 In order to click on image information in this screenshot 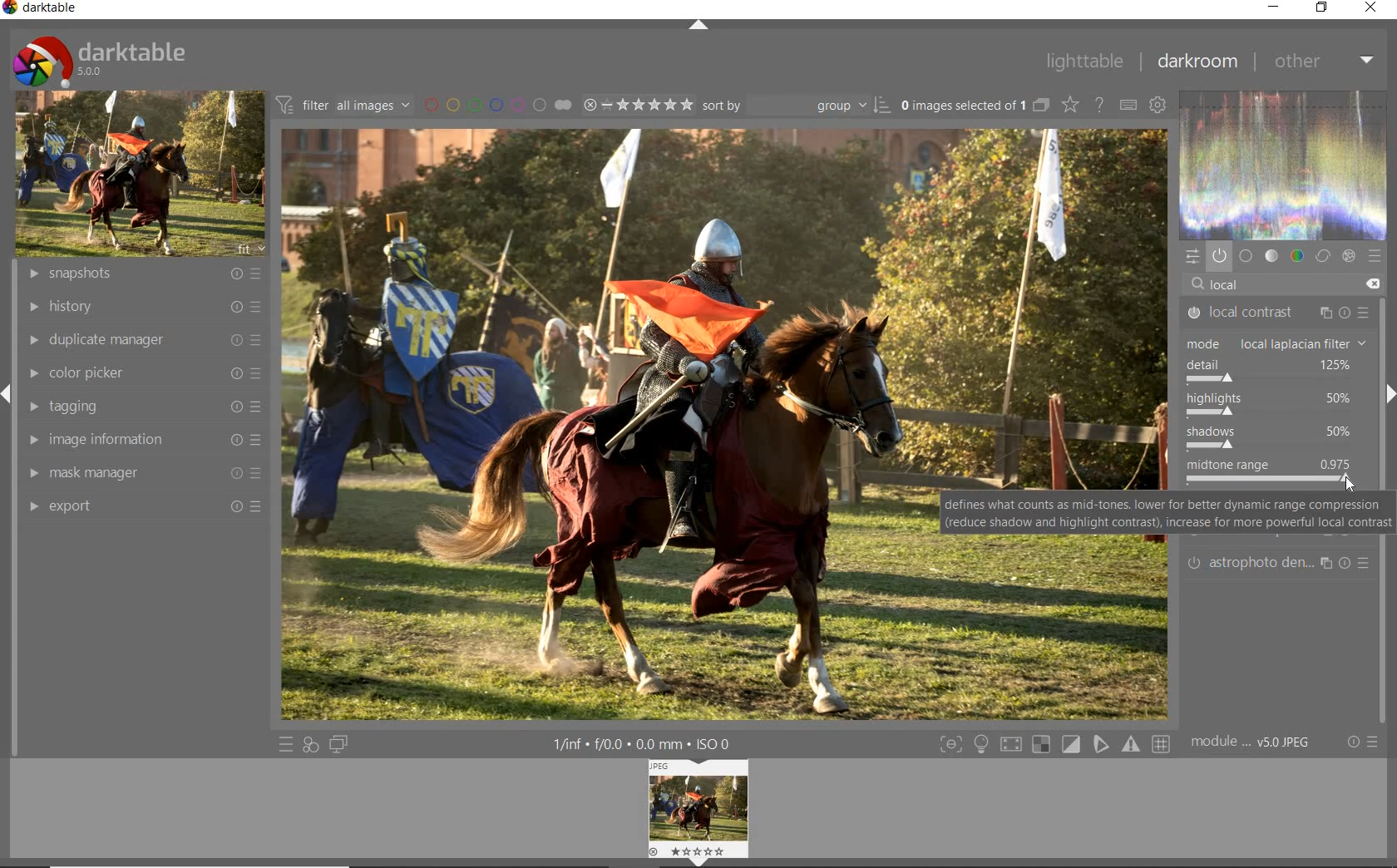, I will do `click(141, 442)`.